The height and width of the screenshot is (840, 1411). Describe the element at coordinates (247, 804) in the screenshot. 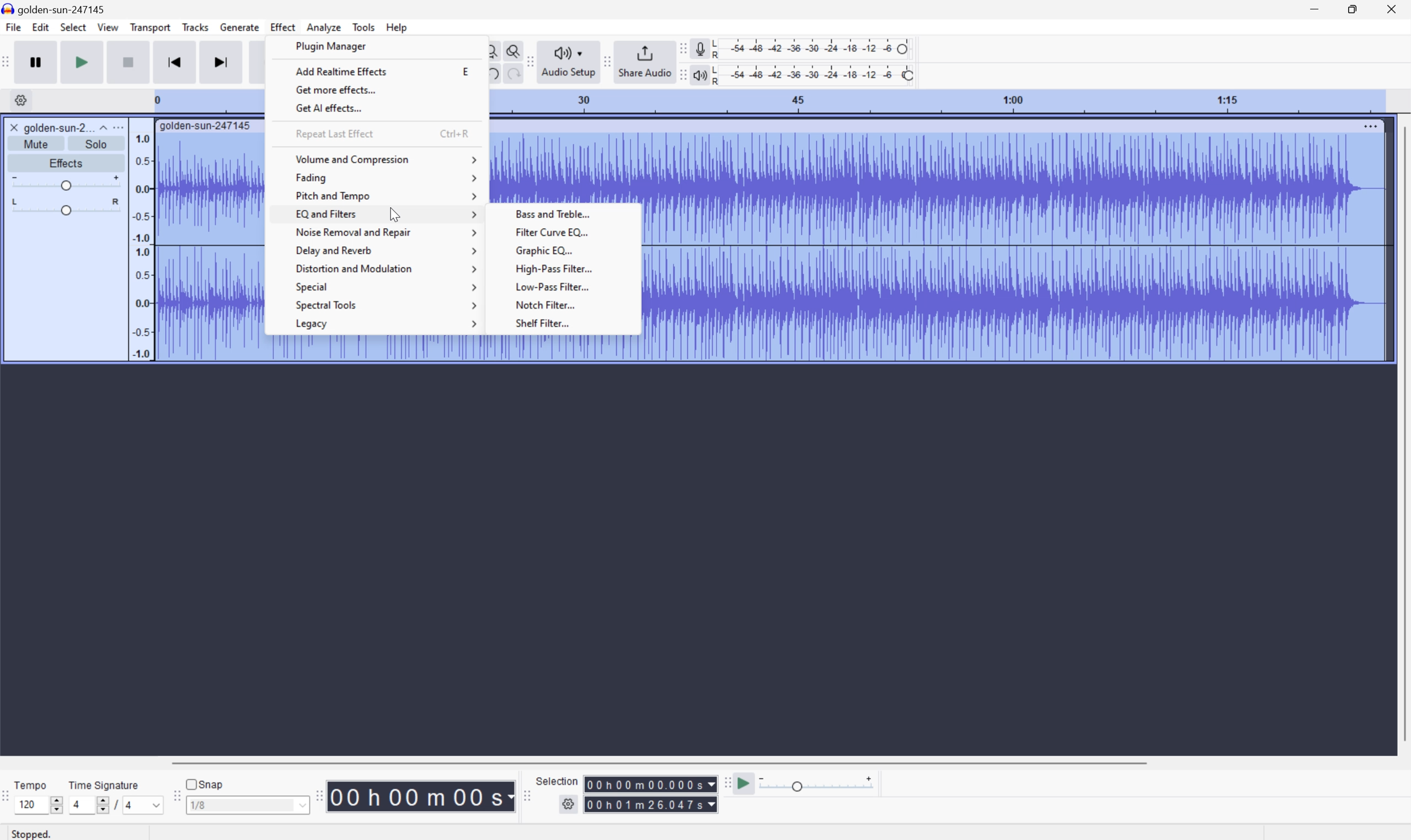

I see `1/8` at that location.